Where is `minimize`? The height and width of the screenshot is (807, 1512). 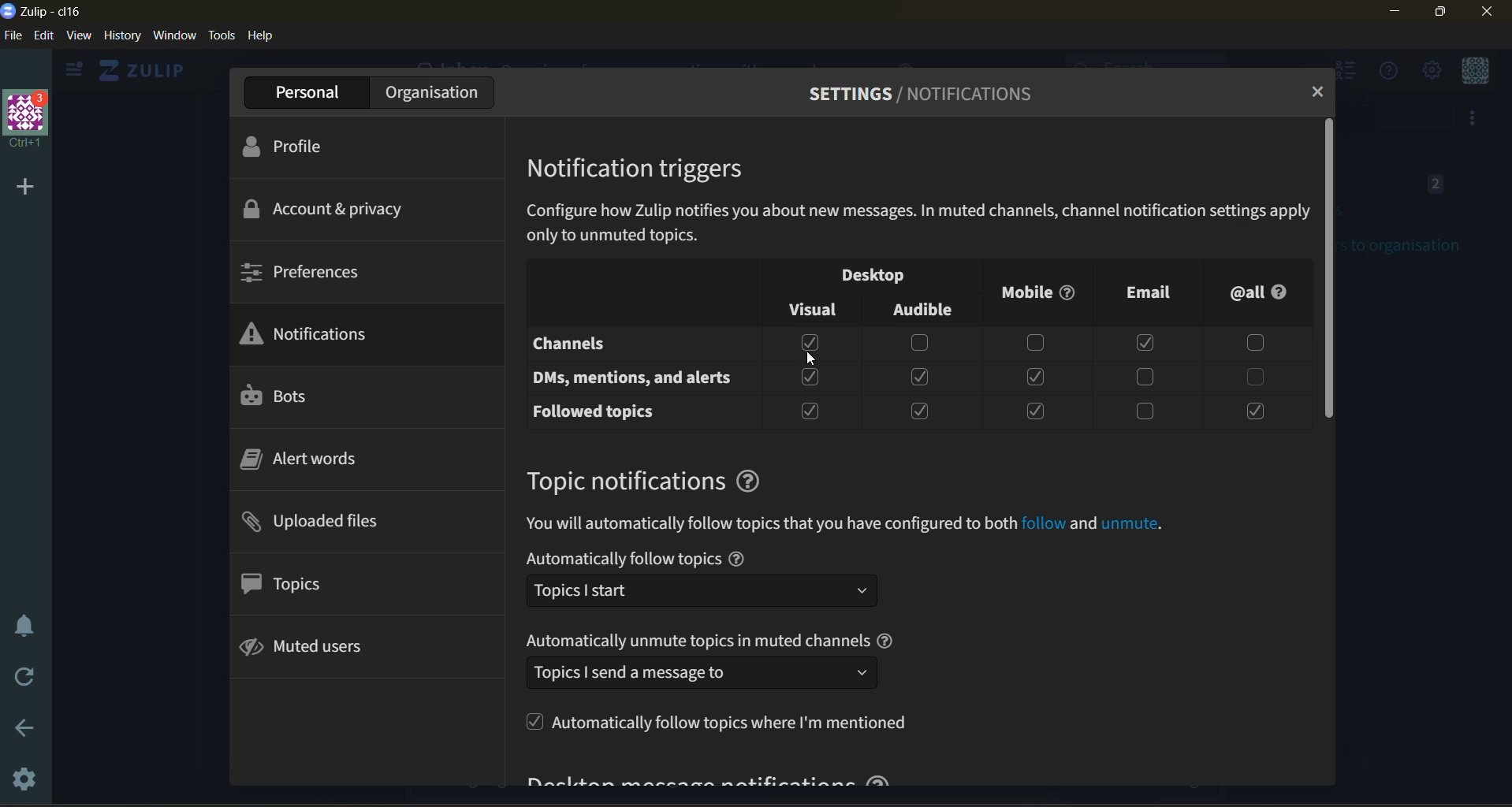 minimize is located at coordinates (1396, 11).